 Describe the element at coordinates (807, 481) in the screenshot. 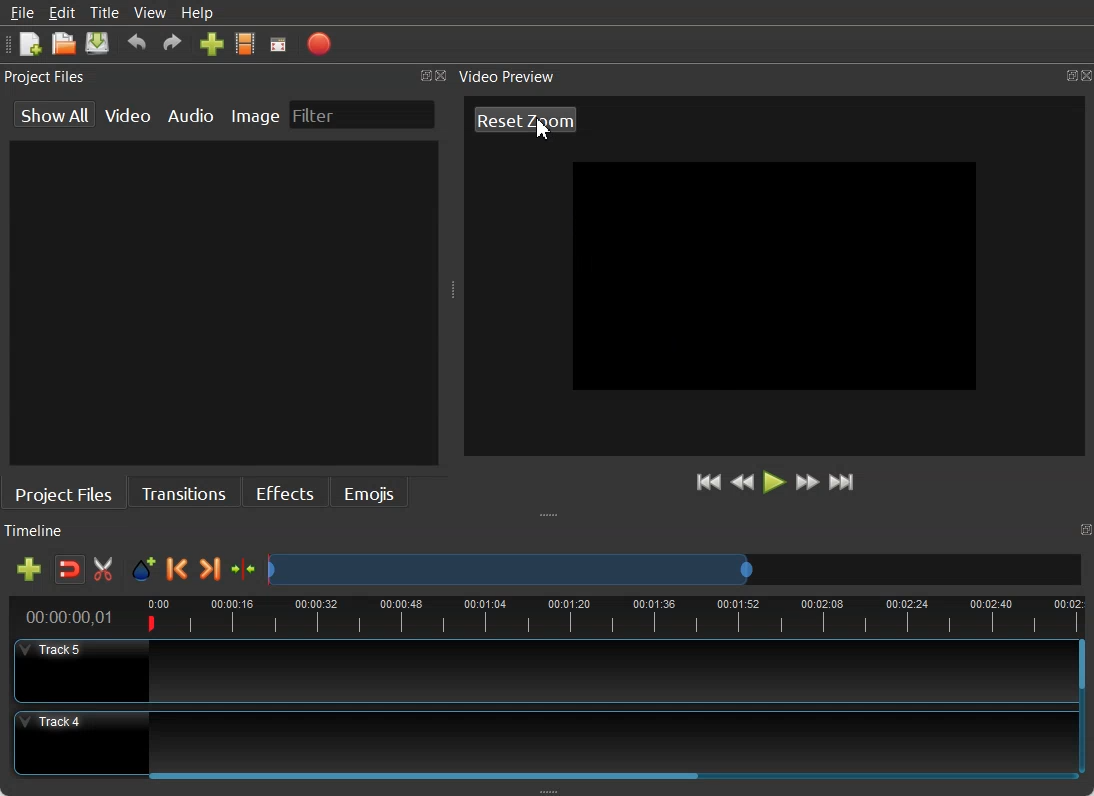

I see `Fast Forward` at that location.